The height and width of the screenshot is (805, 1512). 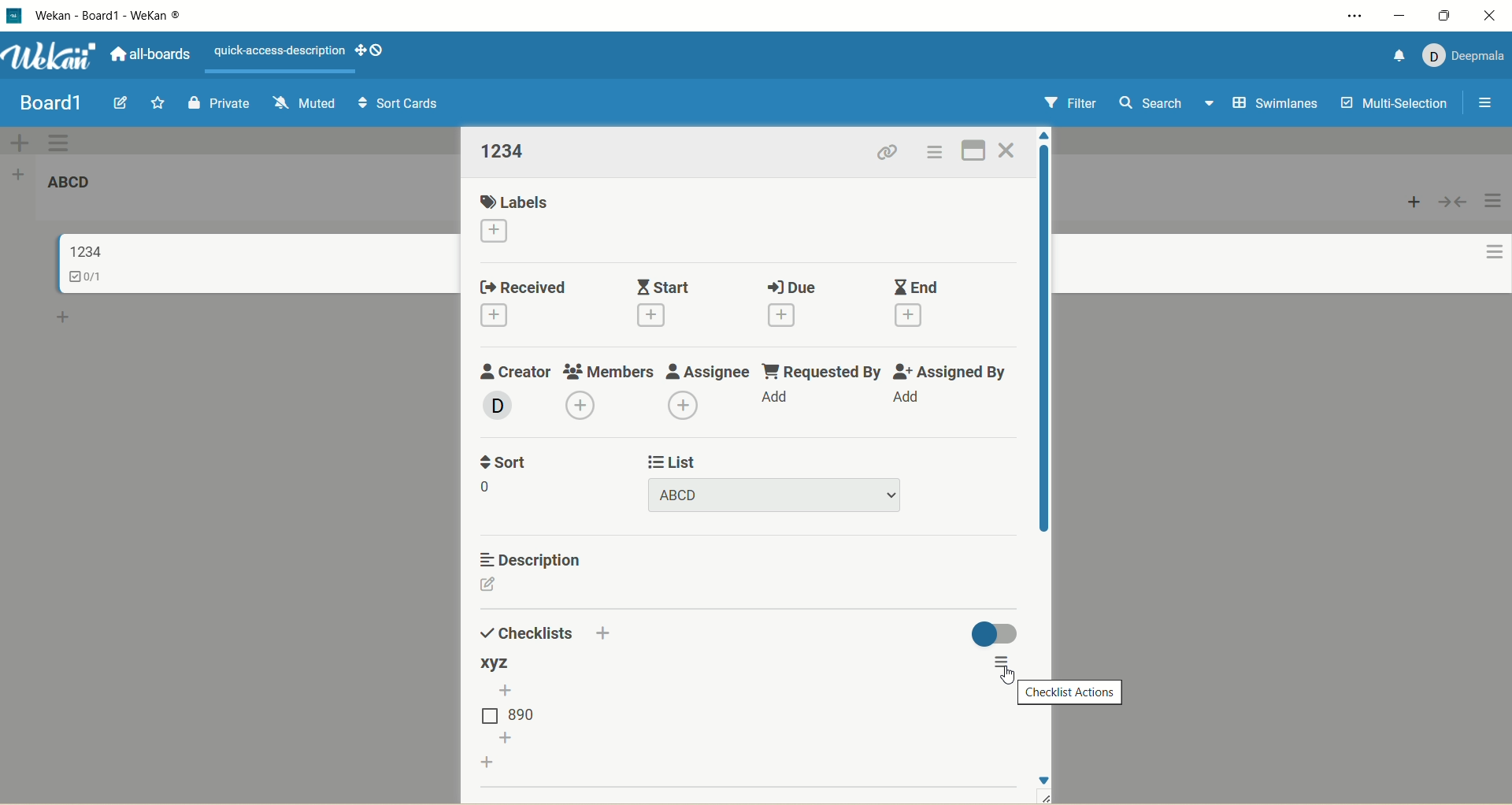 What do you see at coordinates (54, 106) in the screenshot?
I see `board1` at bounding box center [54, 106].